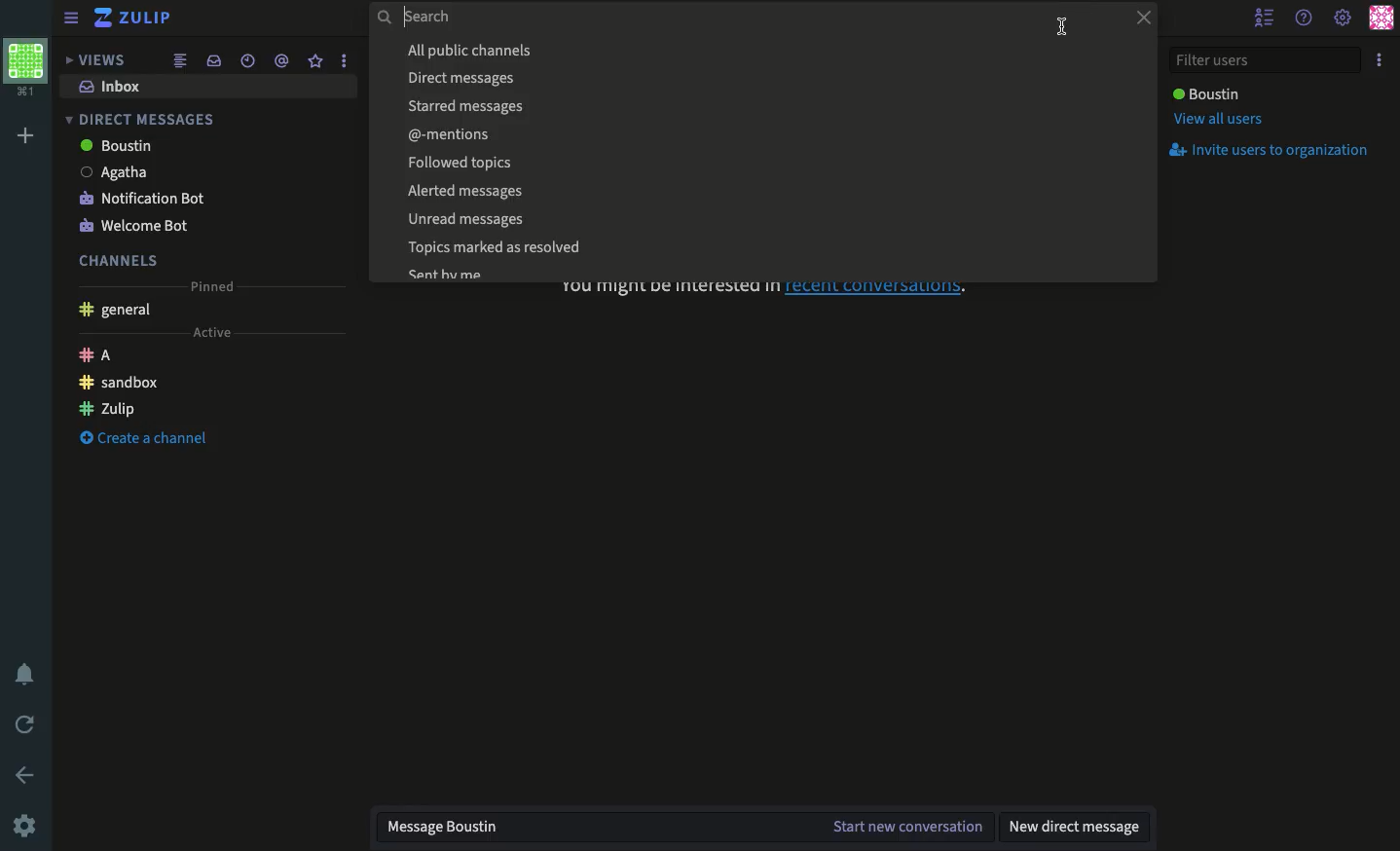 The width and height of the screenshot is (1400, 851). Describe the element at coordinates (1344, 17) in the screenshot. I see `Settings` at that location.